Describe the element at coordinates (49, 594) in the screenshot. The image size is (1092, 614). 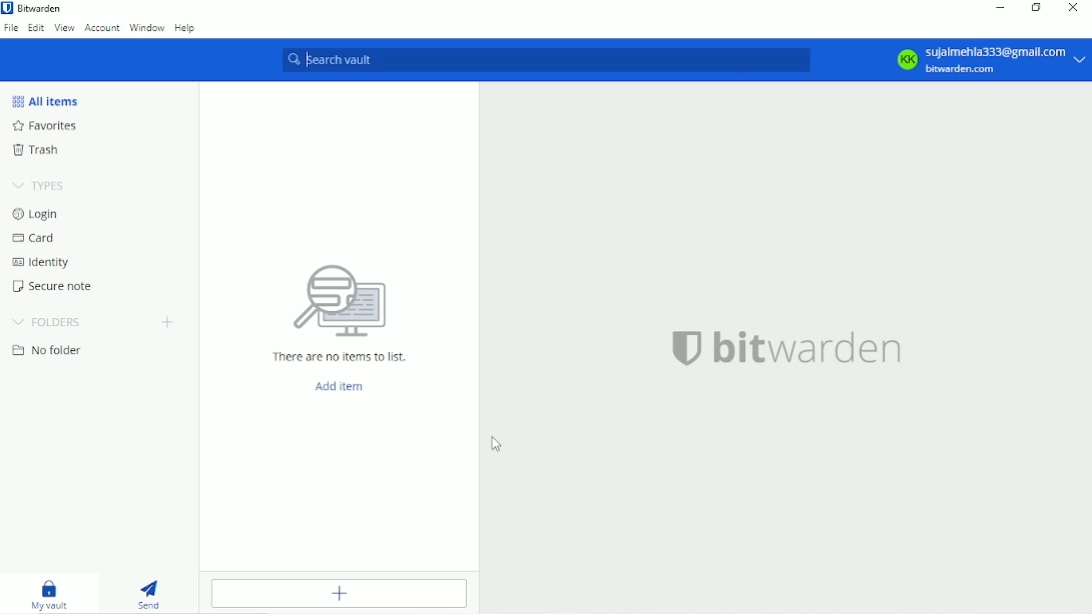
I see `My vault` at that location.